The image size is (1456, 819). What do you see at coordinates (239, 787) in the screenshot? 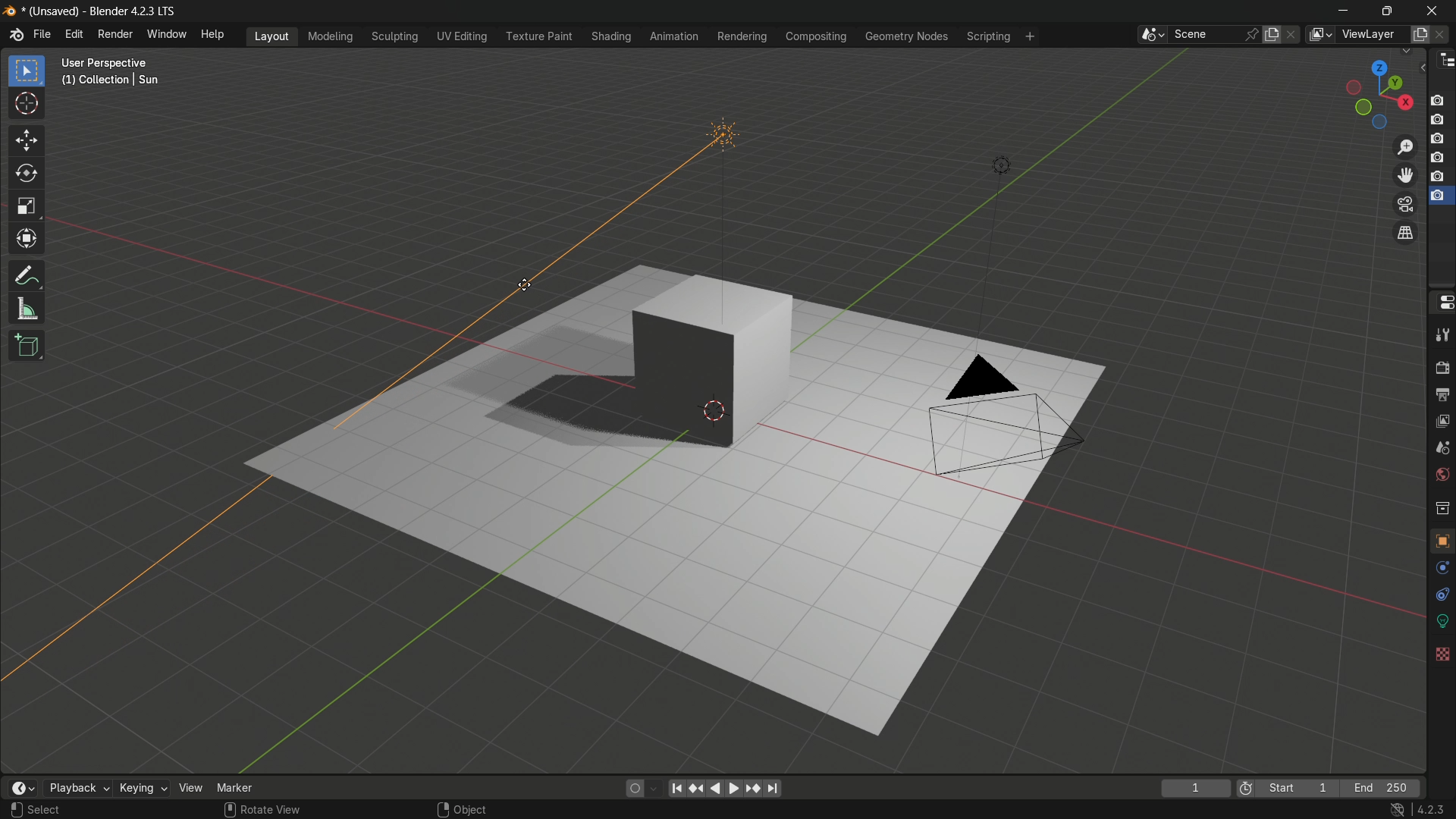
I see `marker` at bounding box center [239, 787].